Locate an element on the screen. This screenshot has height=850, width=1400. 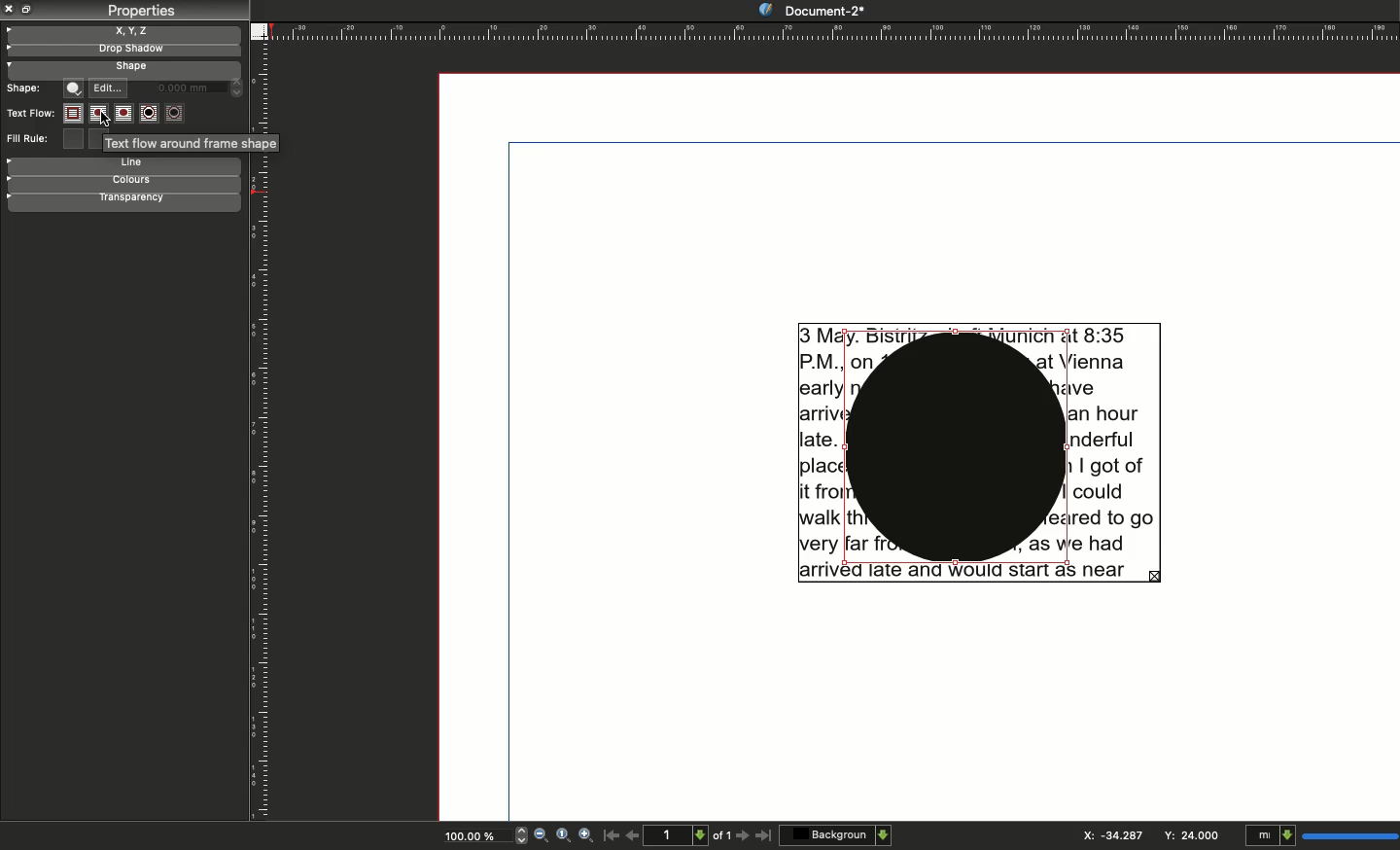
Zoom is located at coordinates (474, 834).